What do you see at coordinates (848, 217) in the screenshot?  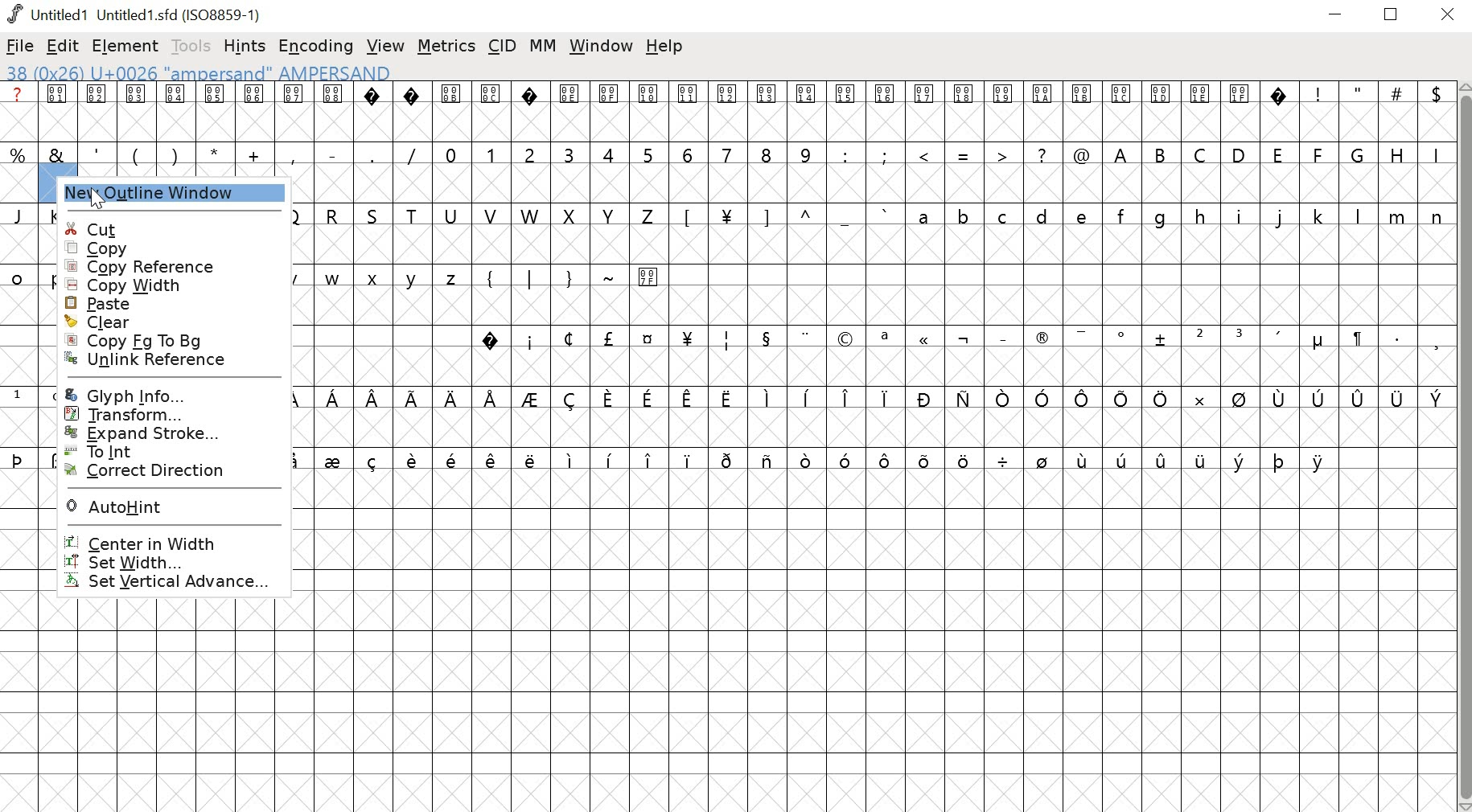 I see `_` at bounding box center [848, 217].